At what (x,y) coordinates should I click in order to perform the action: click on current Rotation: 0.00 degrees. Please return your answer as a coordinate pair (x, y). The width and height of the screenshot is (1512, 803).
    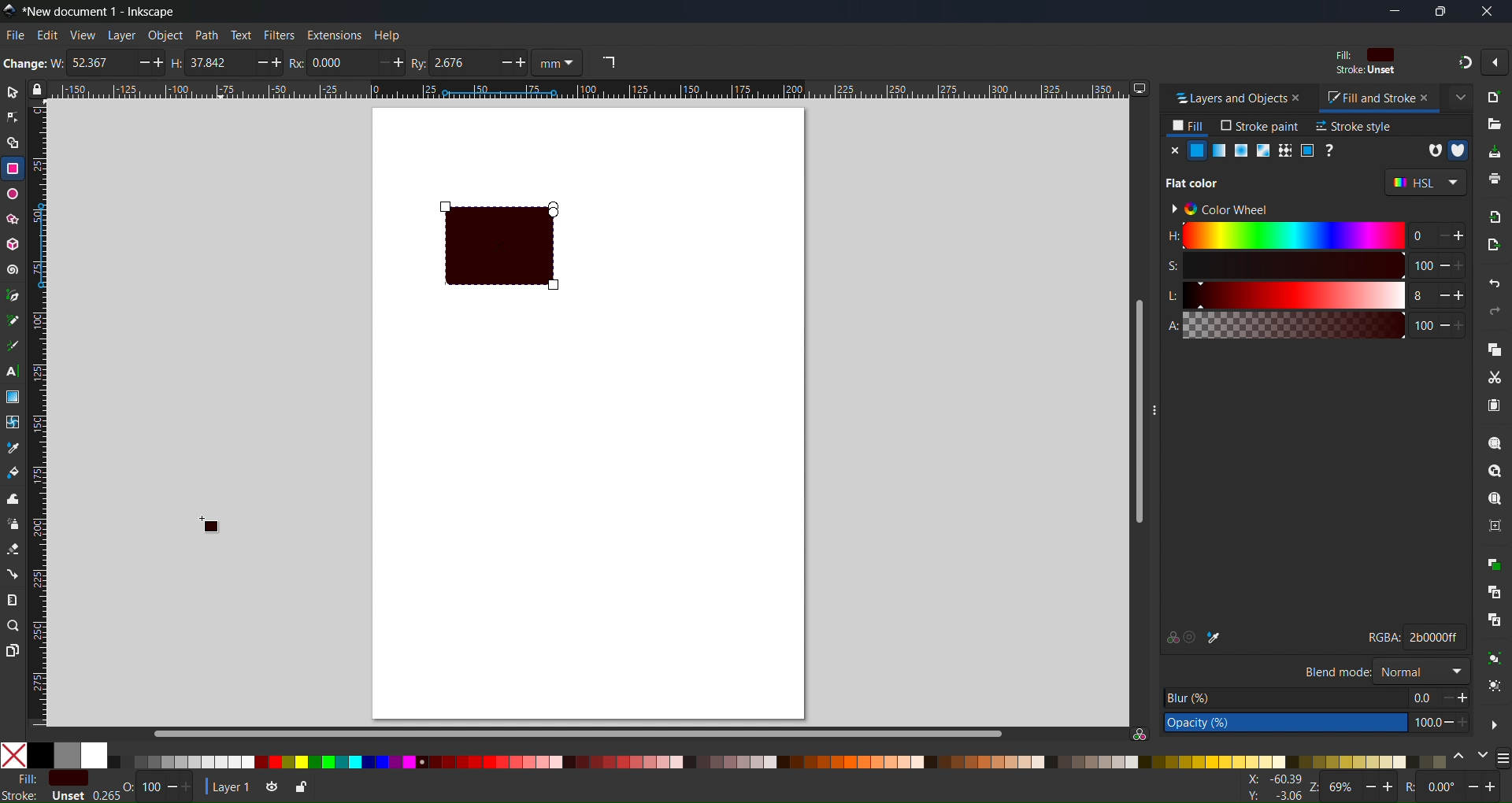
    Looking at the image, I should click on (1443, 789).